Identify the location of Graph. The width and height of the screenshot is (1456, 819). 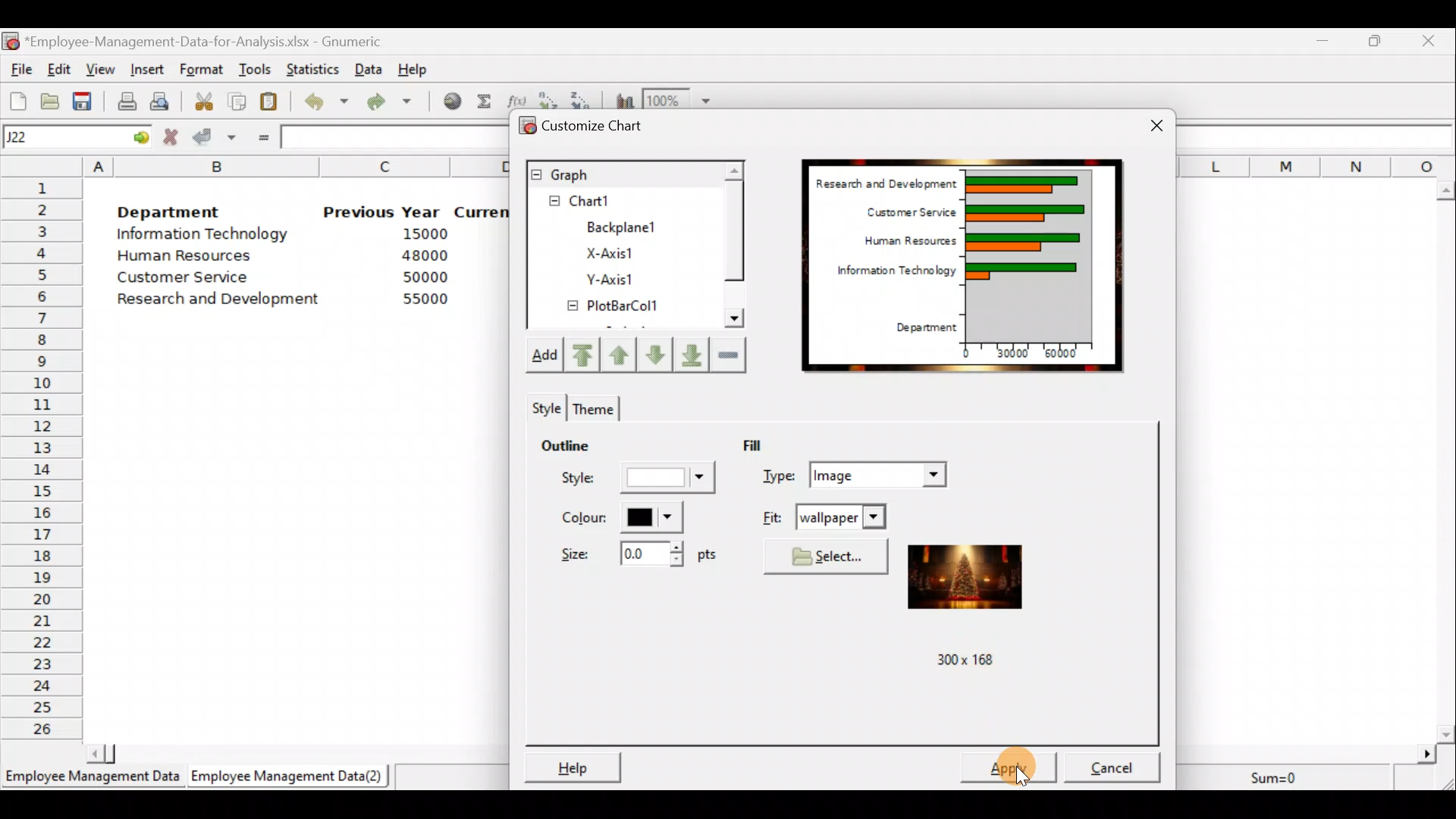
(623, 173).